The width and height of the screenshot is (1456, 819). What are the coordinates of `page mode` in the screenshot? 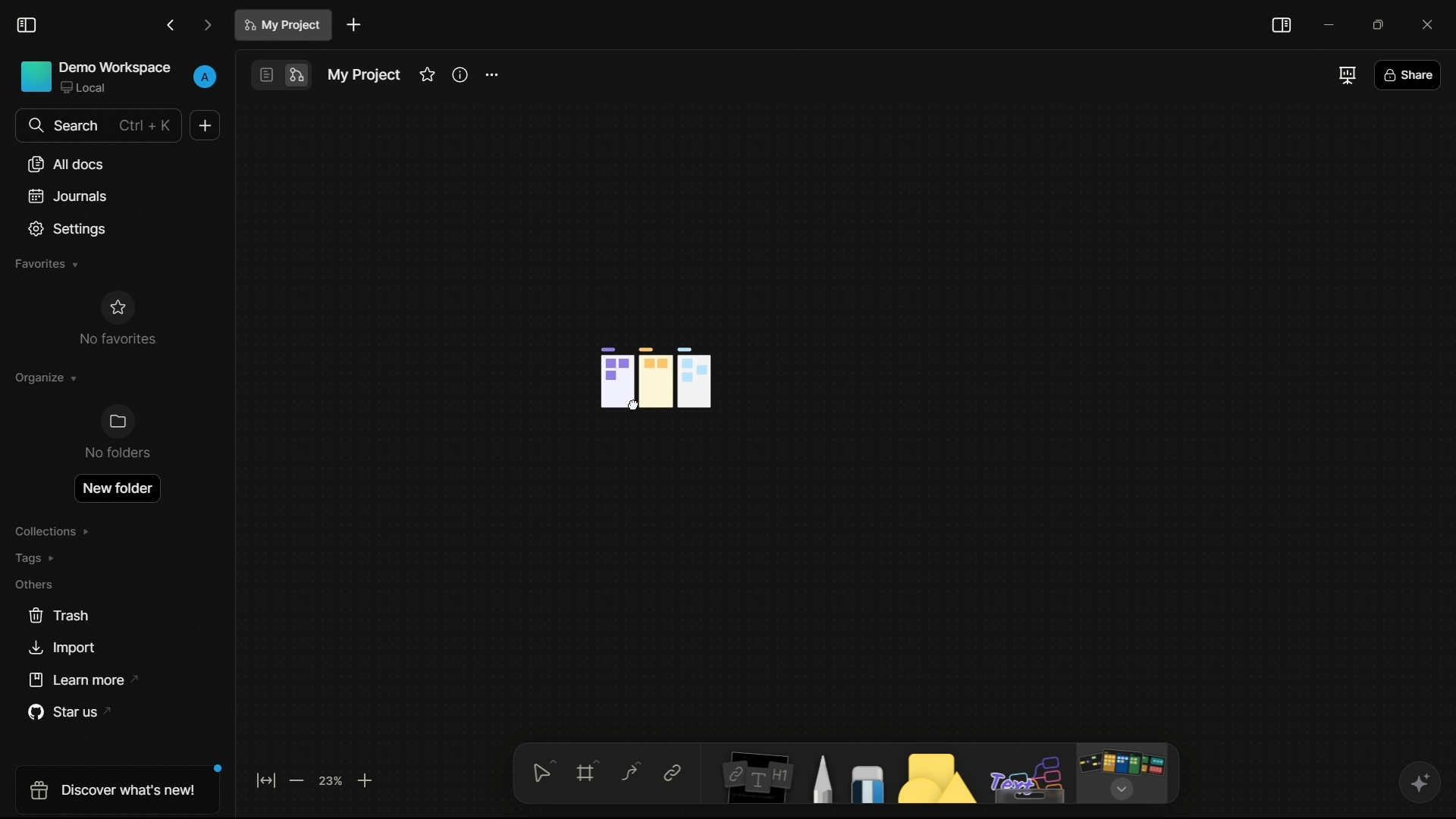 It's located at (265, 75).